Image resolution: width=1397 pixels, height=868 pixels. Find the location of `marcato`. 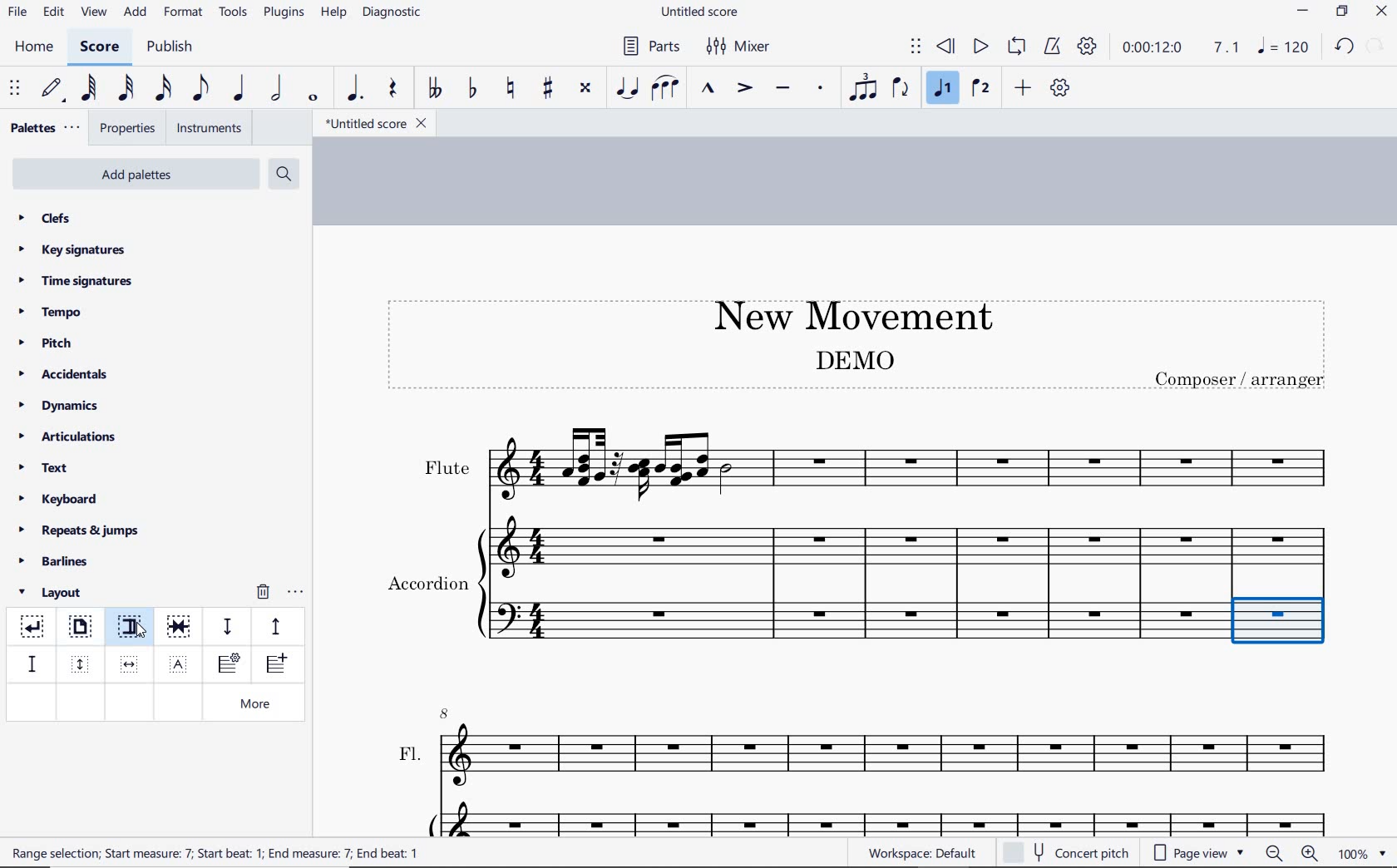

marcato is located at coordinates (710, 90).